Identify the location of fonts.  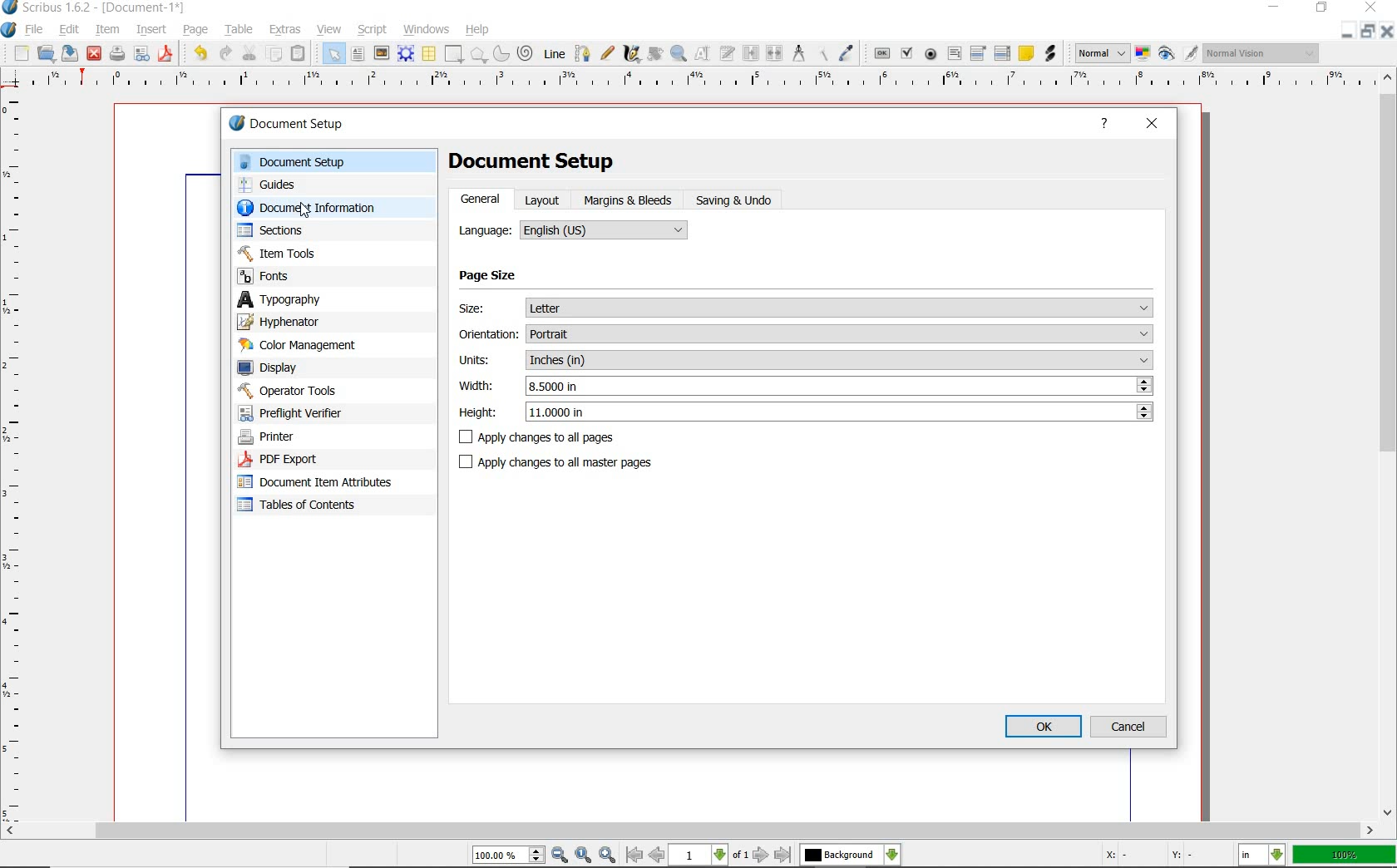
(315, 277).